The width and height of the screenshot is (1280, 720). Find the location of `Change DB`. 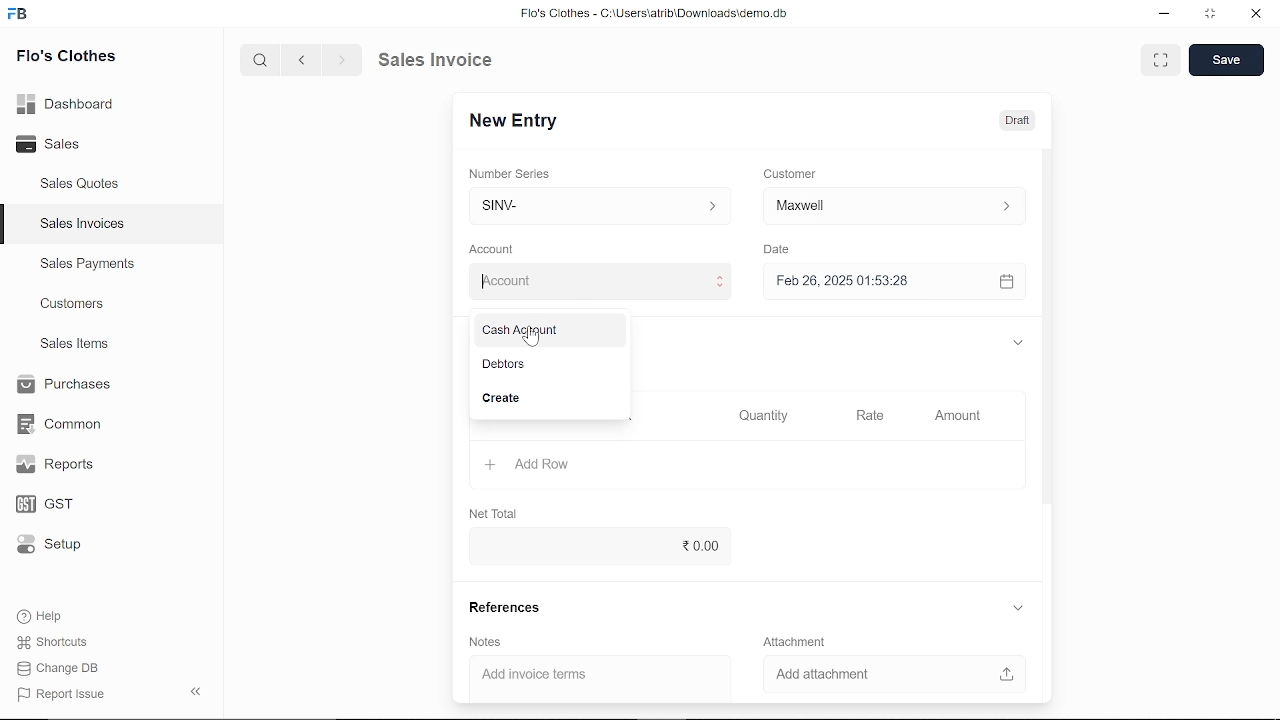

Change DB is located at coordinates (64, 668).